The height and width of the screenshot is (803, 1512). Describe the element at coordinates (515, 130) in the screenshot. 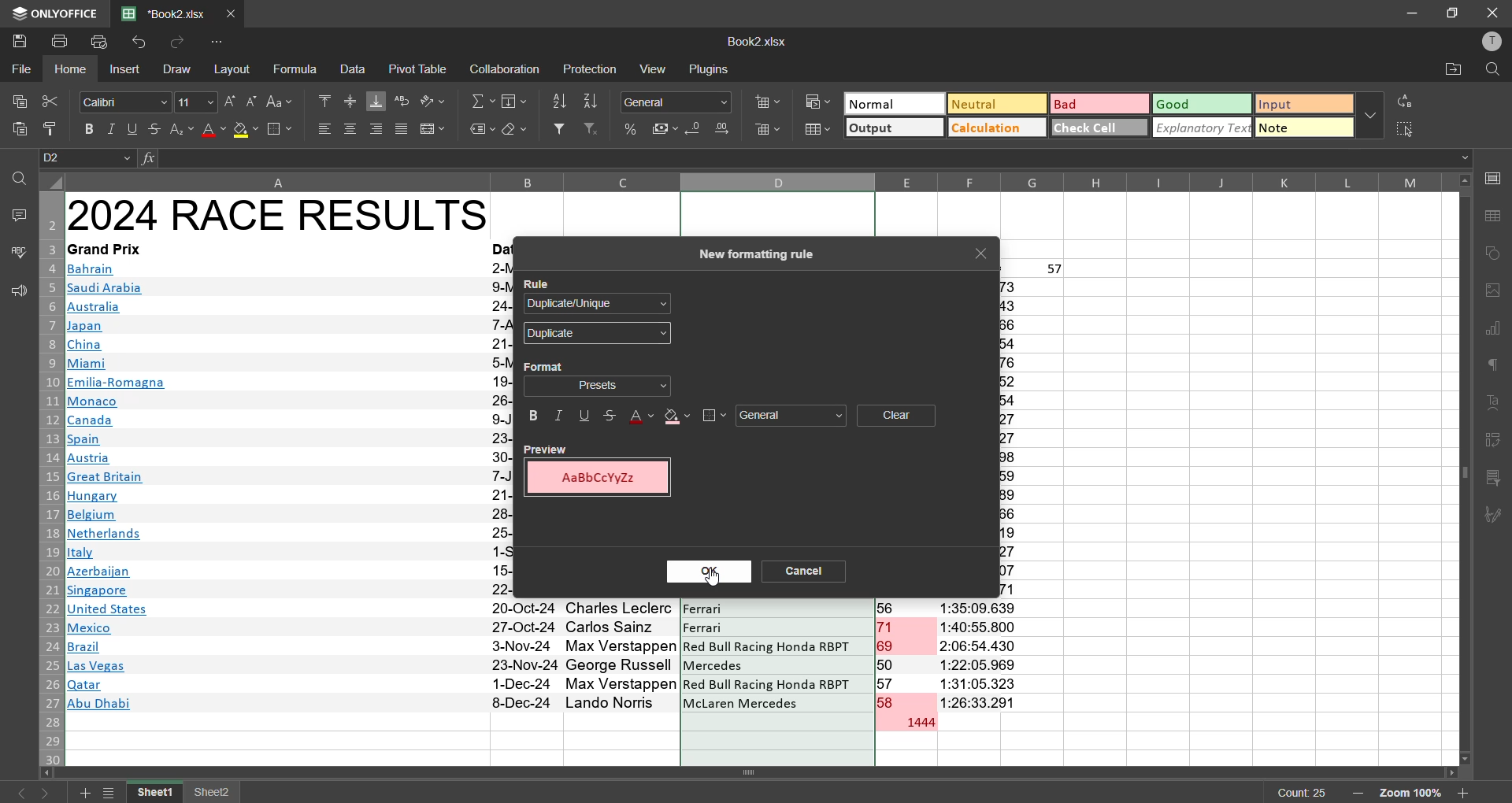

I see `clear` at that location.